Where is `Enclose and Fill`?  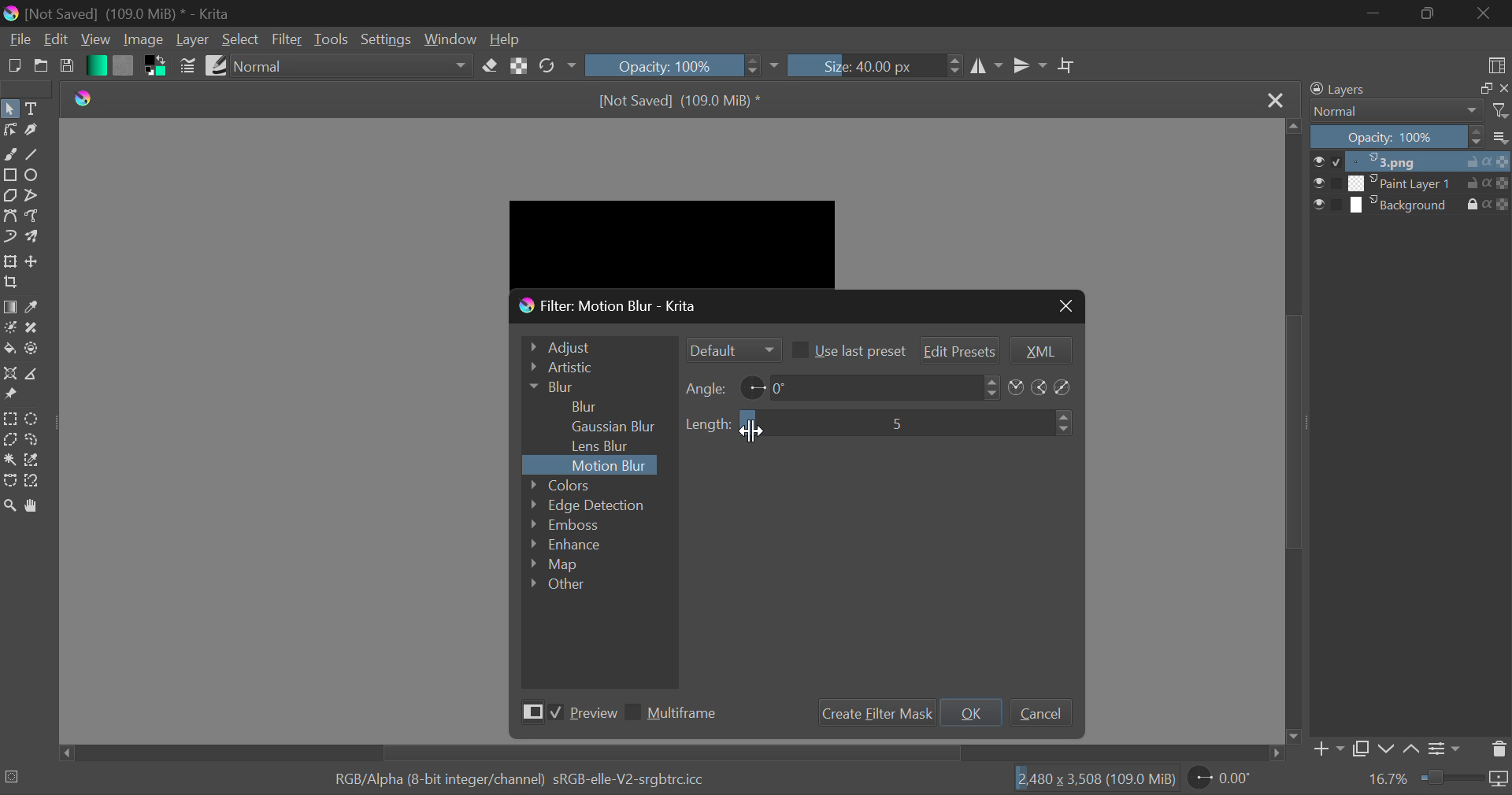 Enclose and Fill is located at coordinates (33, 351).